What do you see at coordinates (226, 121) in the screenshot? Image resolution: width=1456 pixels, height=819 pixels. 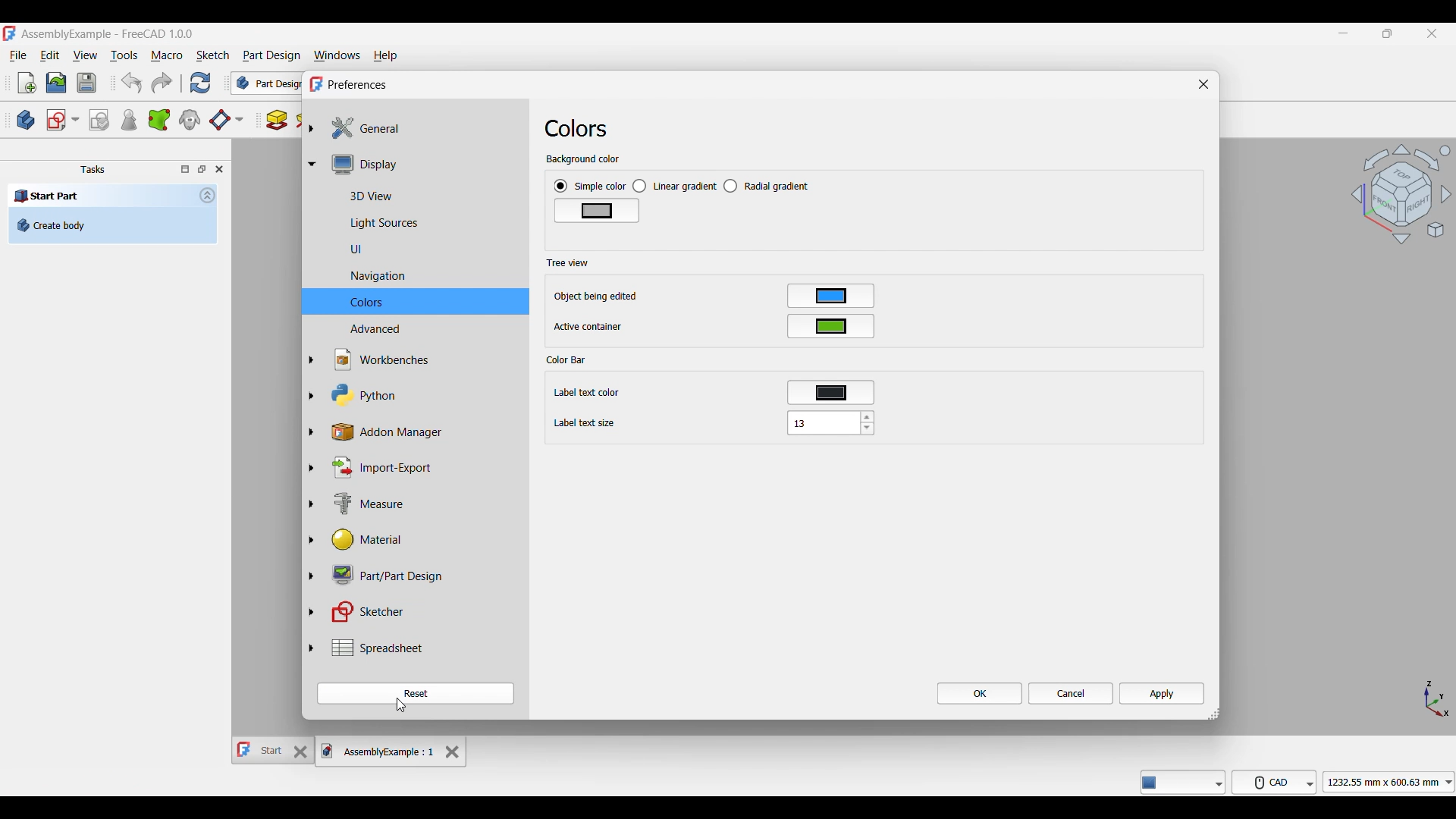 I see `Create a datum plane` at bounding box center [226, 121].